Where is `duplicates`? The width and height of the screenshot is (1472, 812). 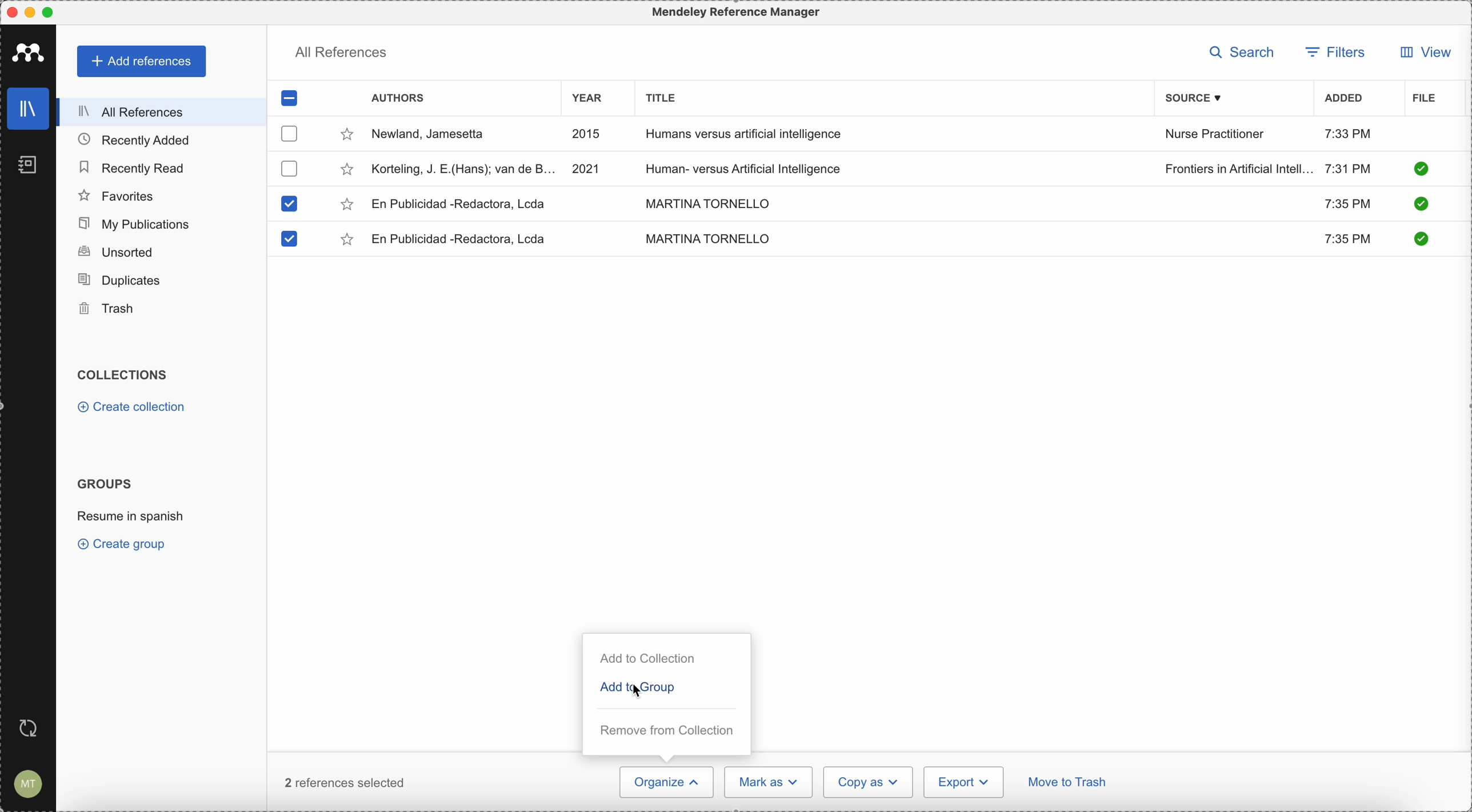 duplicates is located at coordinates (119, 281).